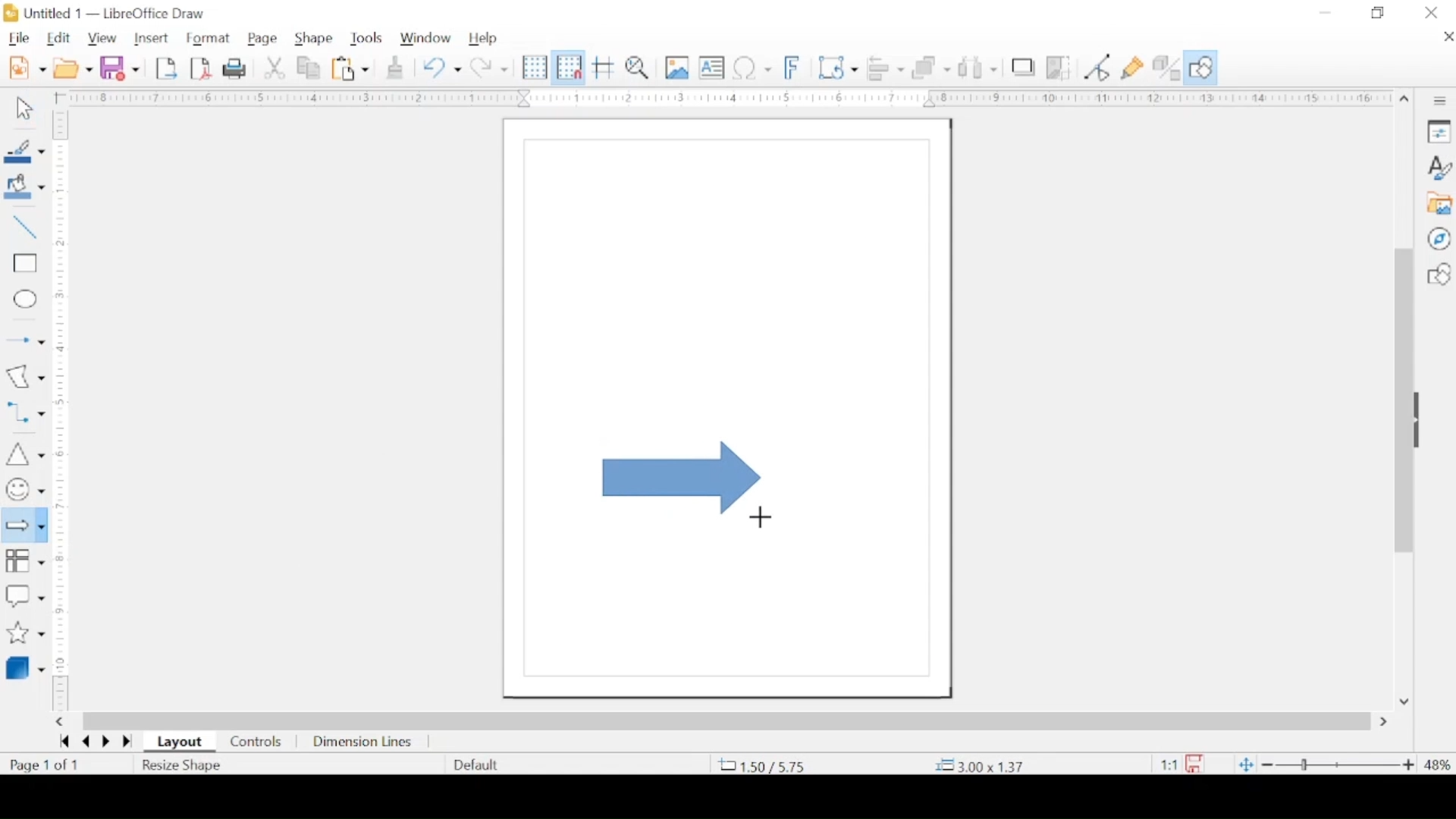 This screenshot has width=1456, height=819. I want to click on untitled 1 - libreoffice, so click(108, 13).